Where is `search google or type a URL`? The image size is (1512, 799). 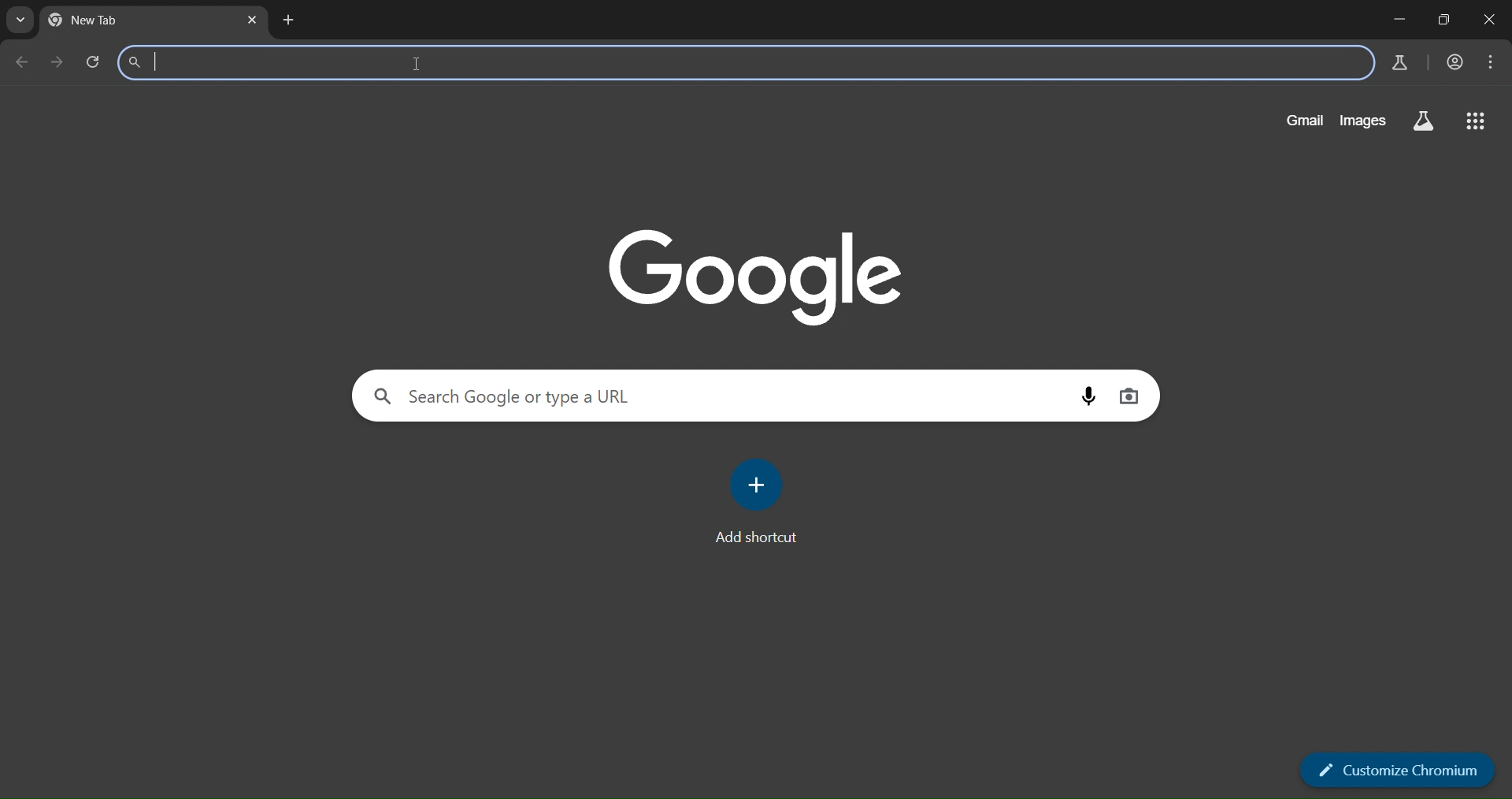 search google or type a URL is located at coordinates (719, 396).